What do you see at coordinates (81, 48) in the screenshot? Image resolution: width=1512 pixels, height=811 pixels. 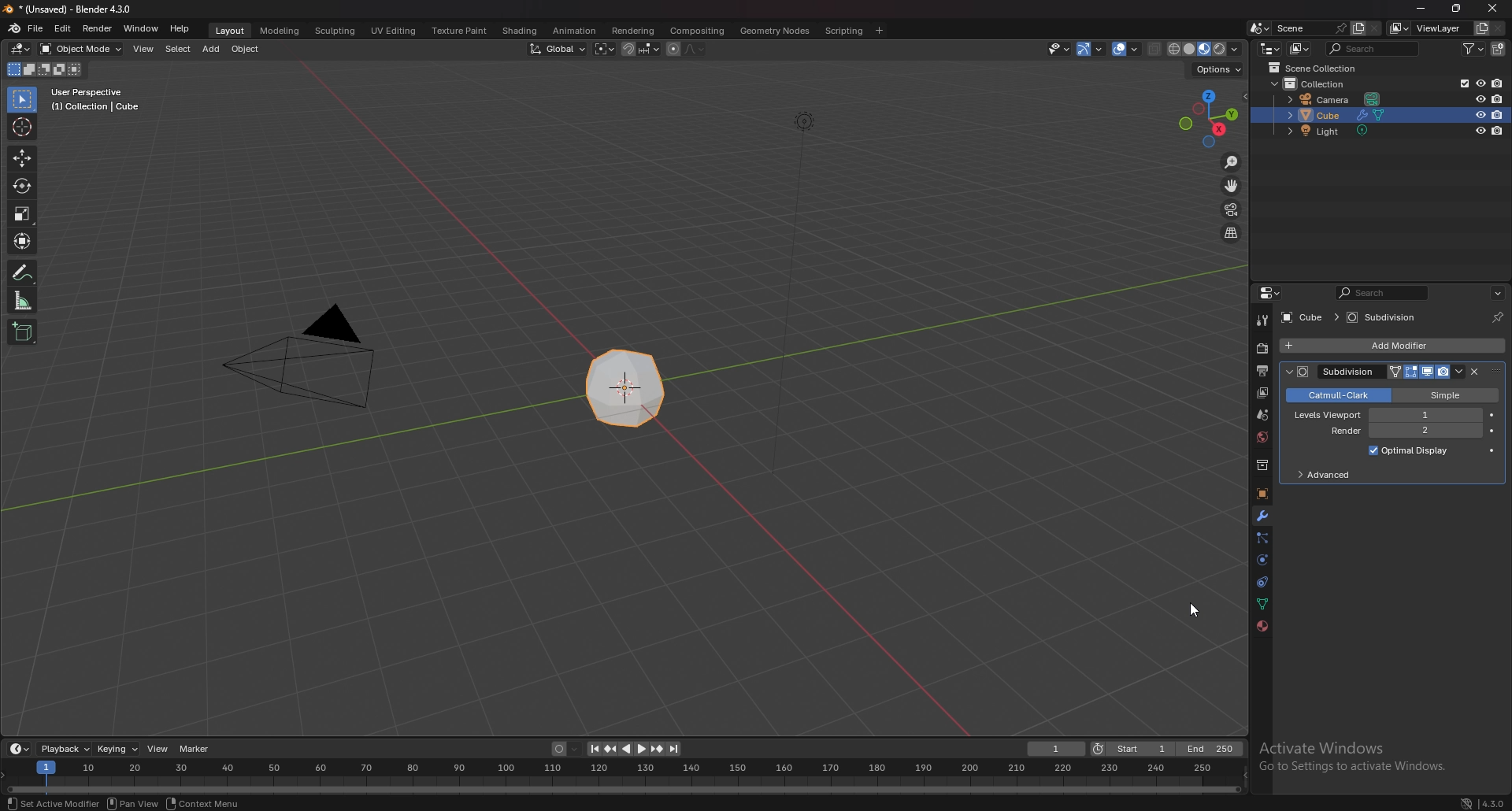 I see `object mode` at bounding box center [81, 48].